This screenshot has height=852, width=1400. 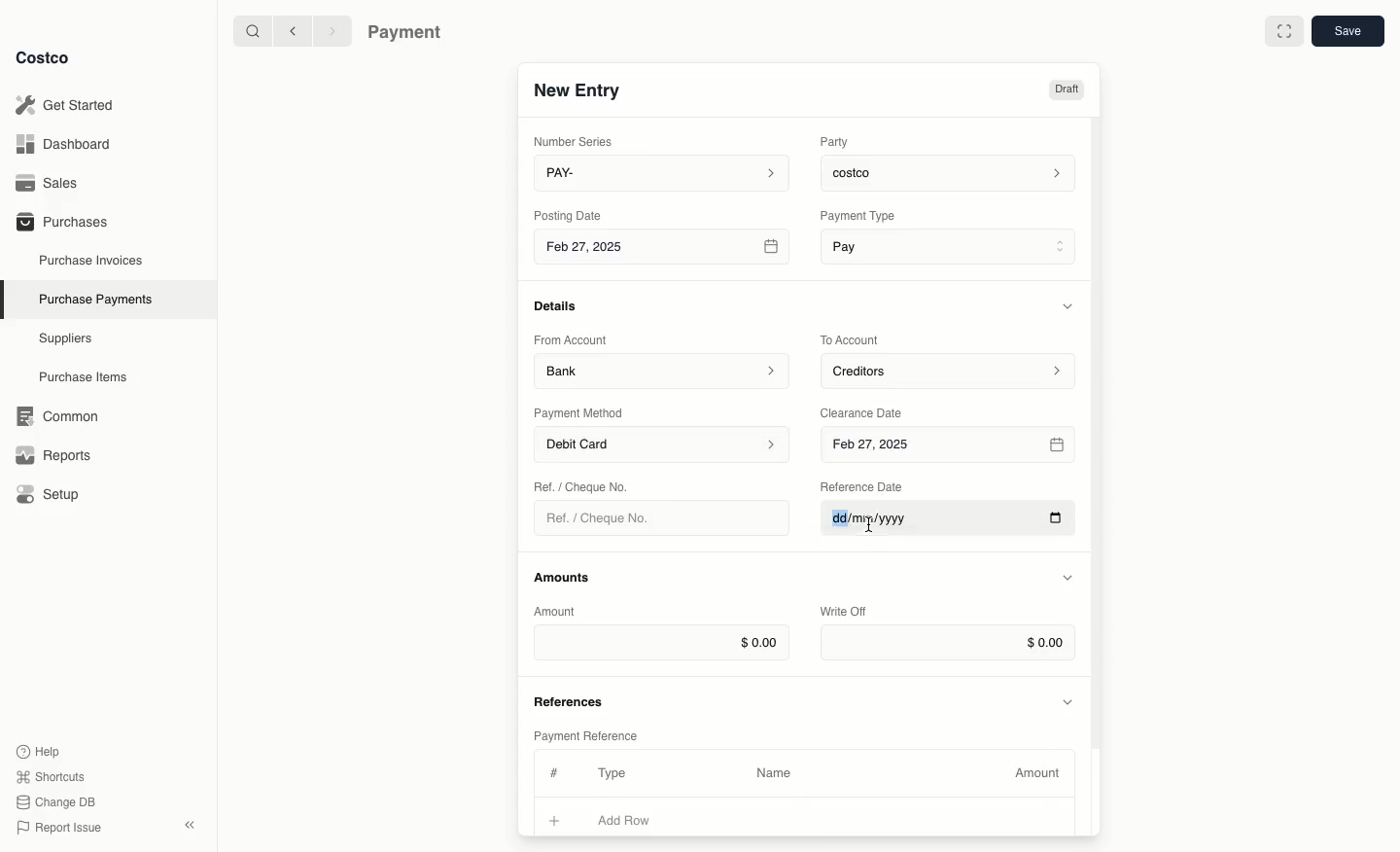 I want to click on Hide, so click(x=1069, y=700).